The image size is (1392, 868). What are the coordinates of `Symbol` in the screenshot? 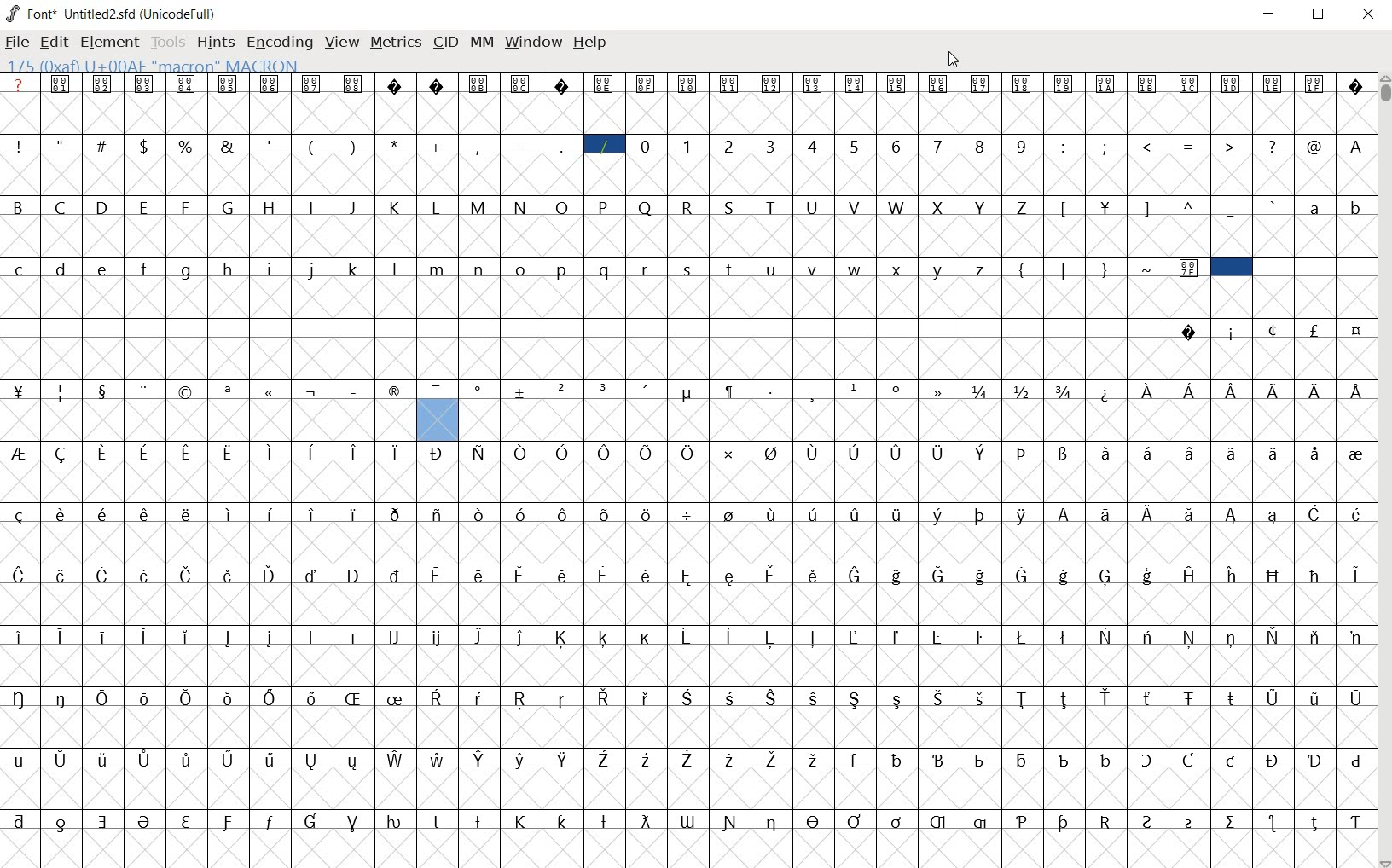 It's located at (105, 391).